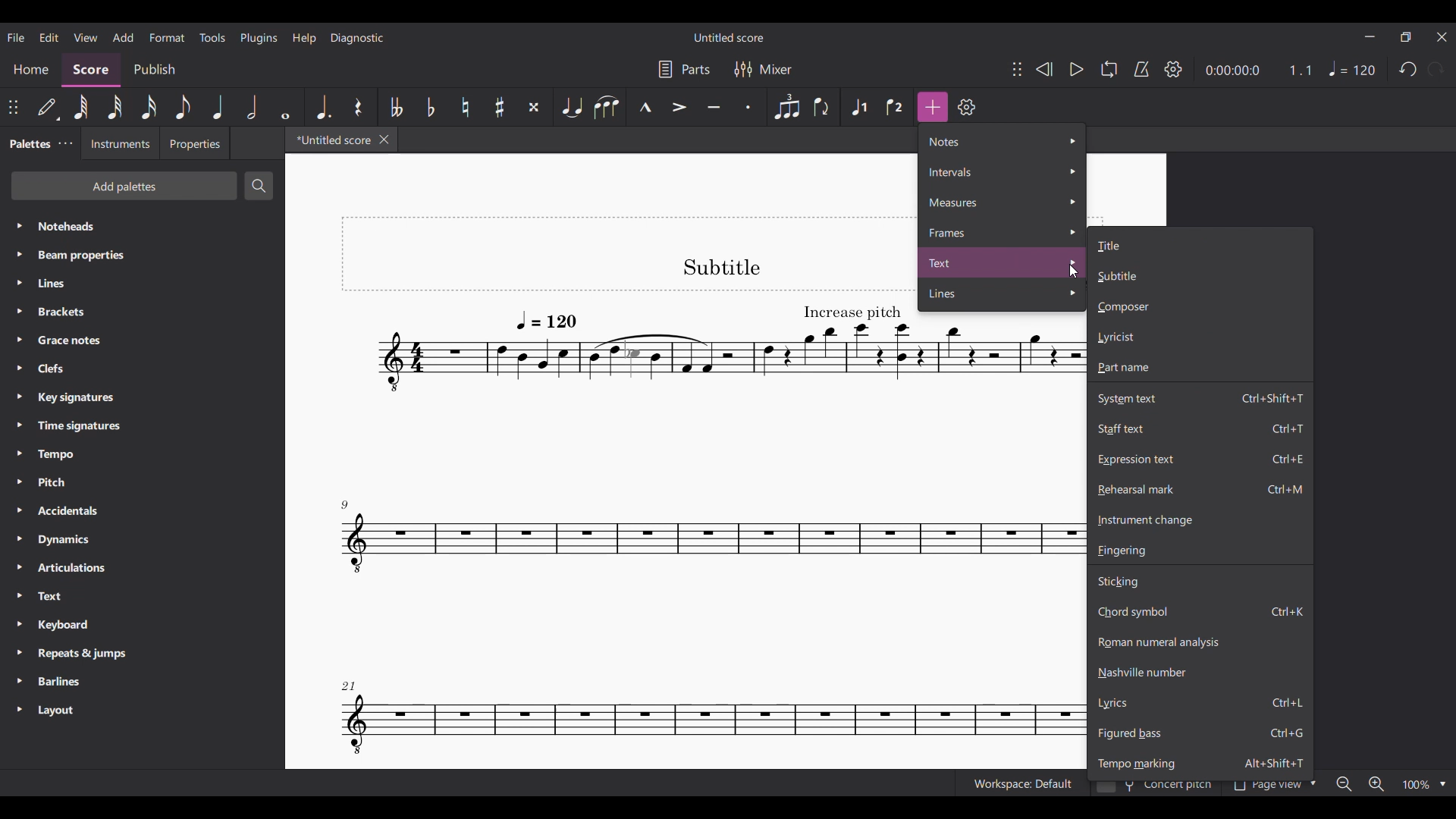 This screenshot has width=1456, height=819. What do you see at coordinates (330, 140) in the screenshot?
I see `*Untitled score - current tab` at bounding box center [330, 140].